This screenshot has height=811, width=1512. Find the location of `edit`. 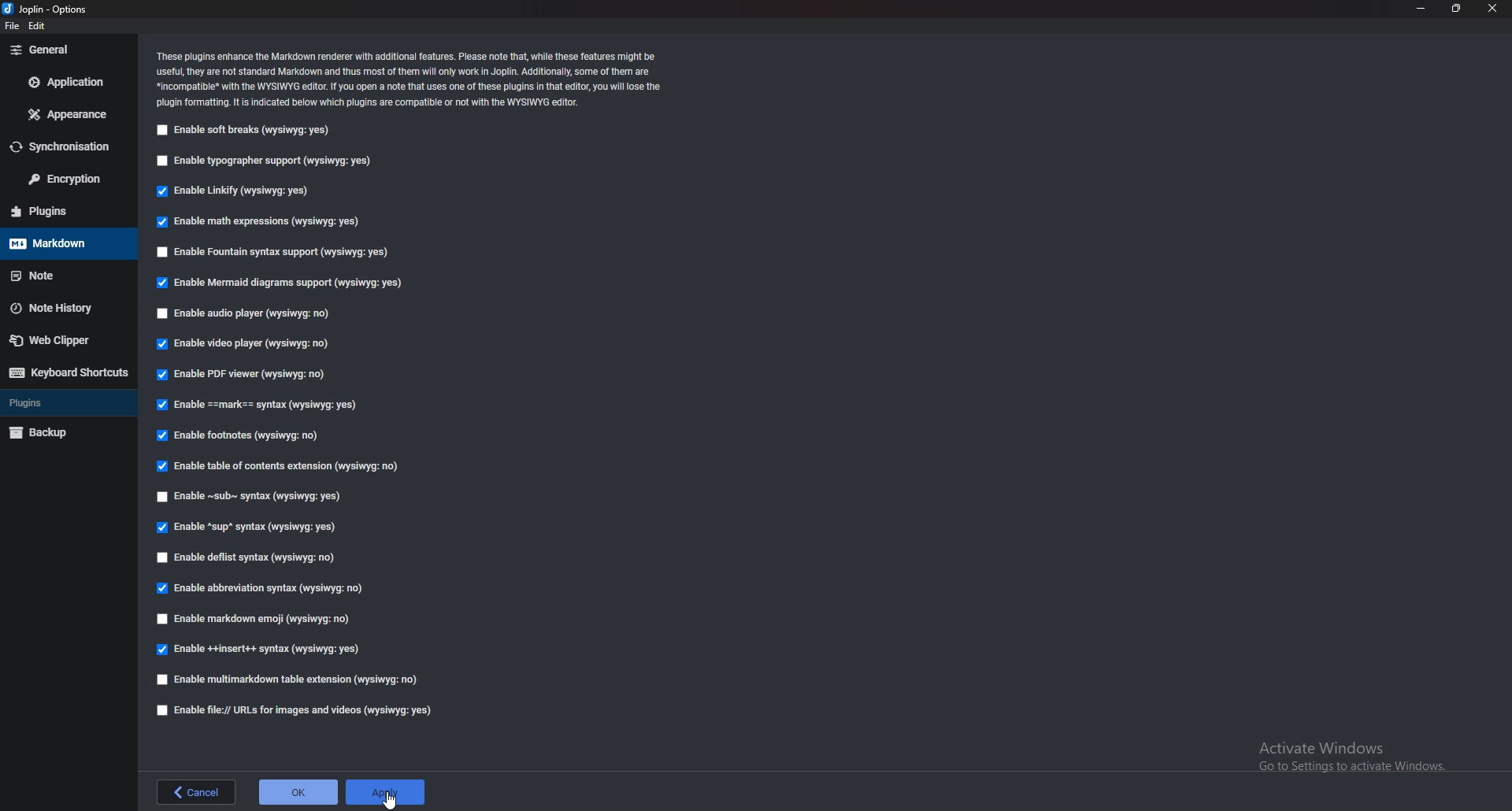

edit is located at coordinates (39, 25).